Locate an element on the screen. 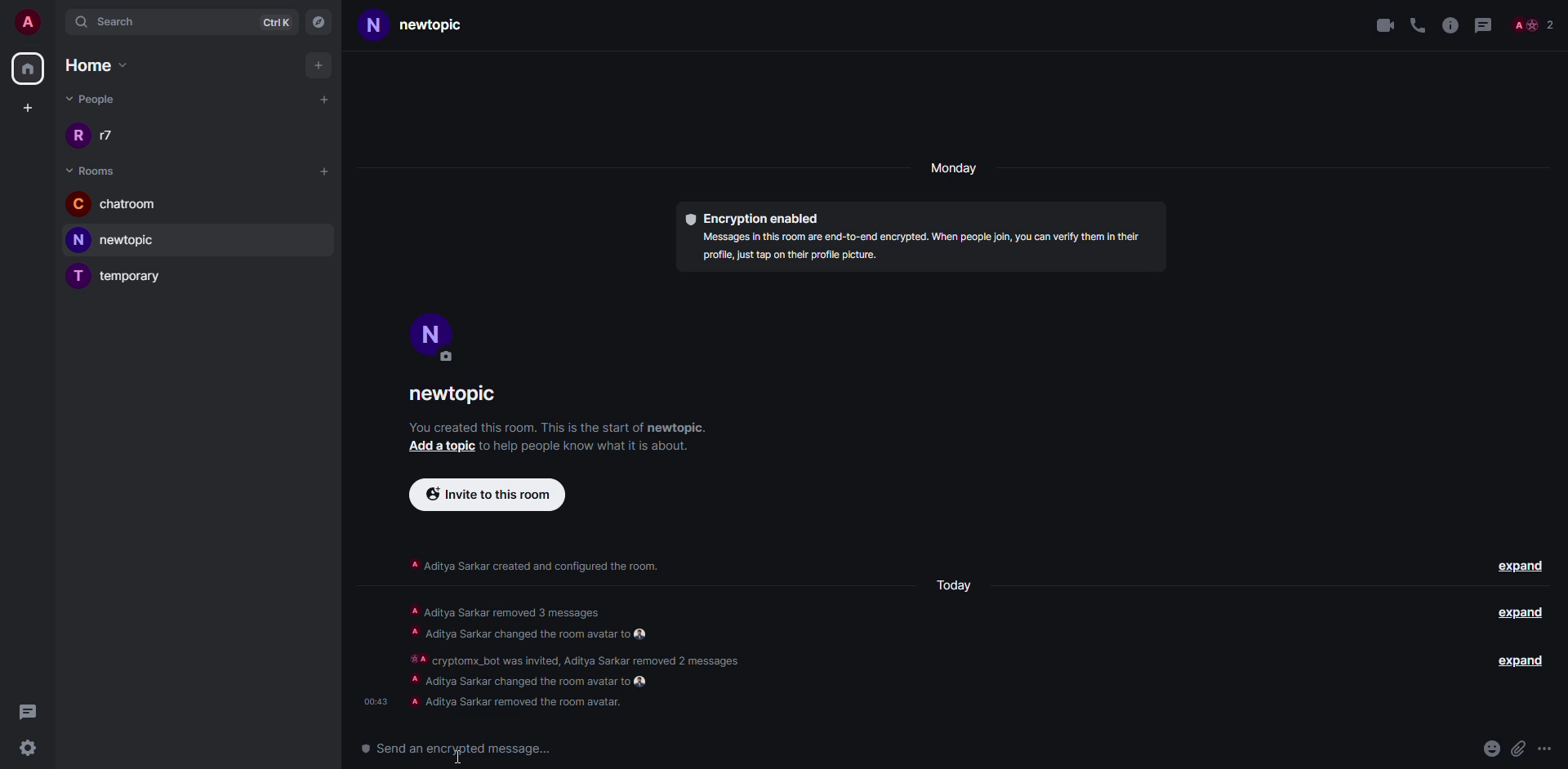 The image size is (1568, 769). attach is located at coordinates (1519, 749).